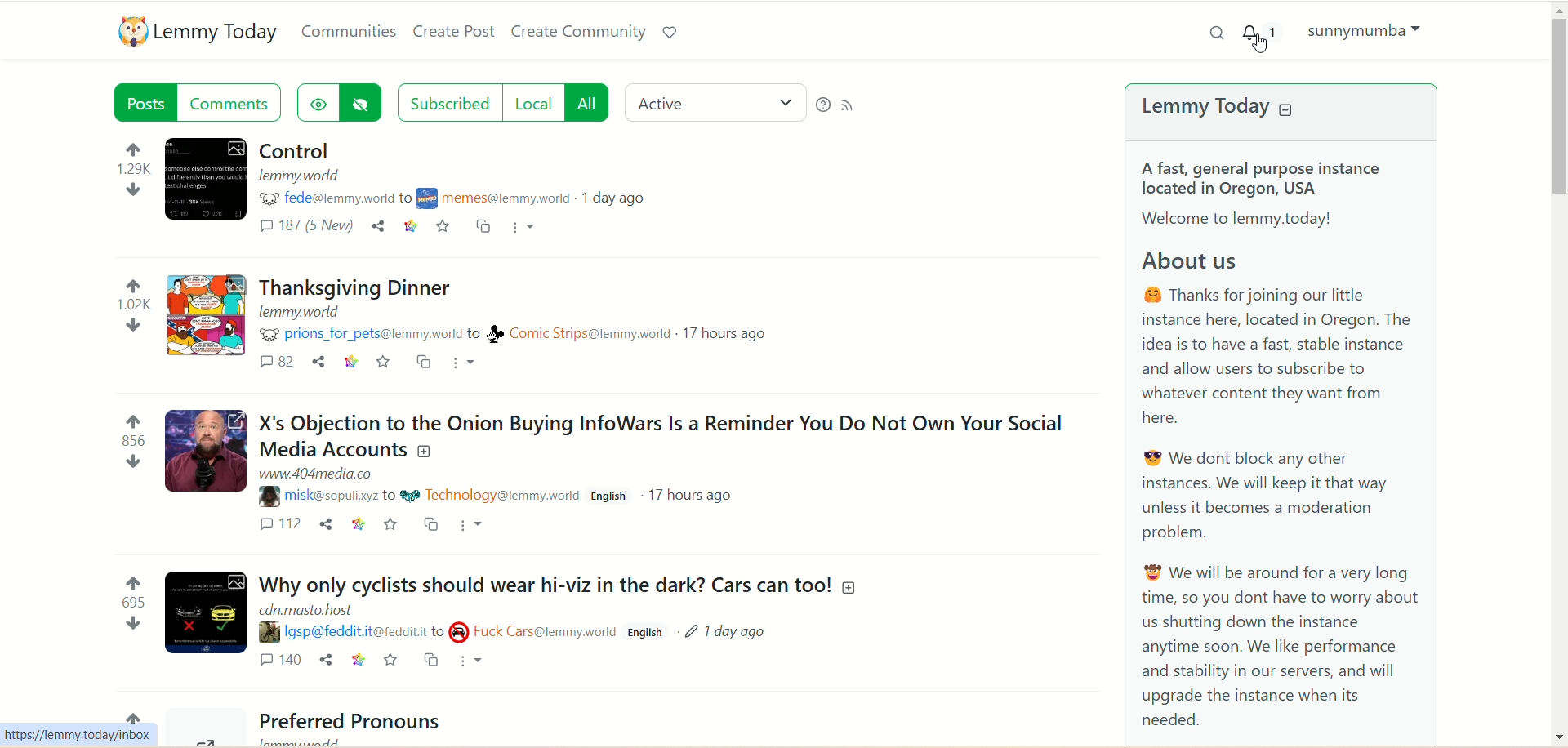 Image resolution: width=1568 pixels, height=748 pixels. Describe the element at coordinates (468, 366) in the screenshot. I see `more` at that location.